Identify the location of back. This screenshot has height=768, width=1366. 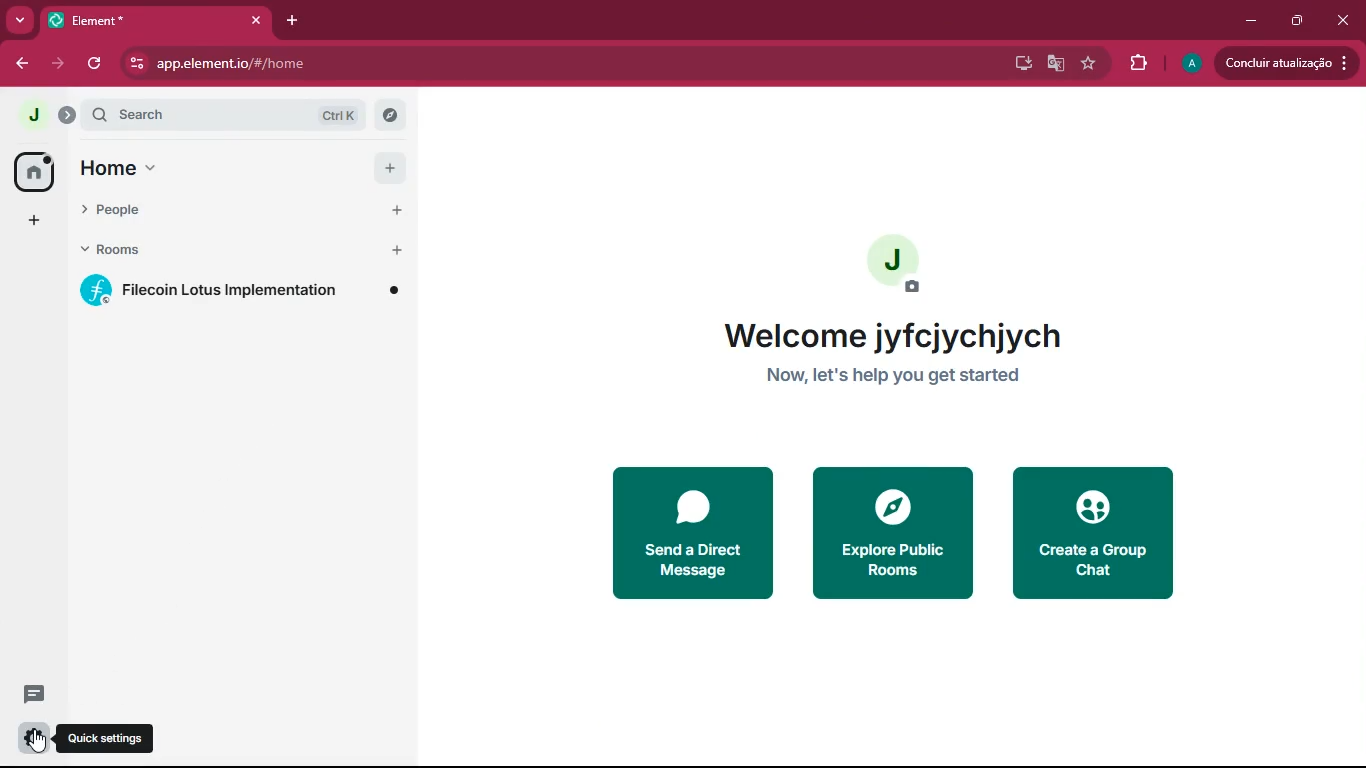
(20, 61).